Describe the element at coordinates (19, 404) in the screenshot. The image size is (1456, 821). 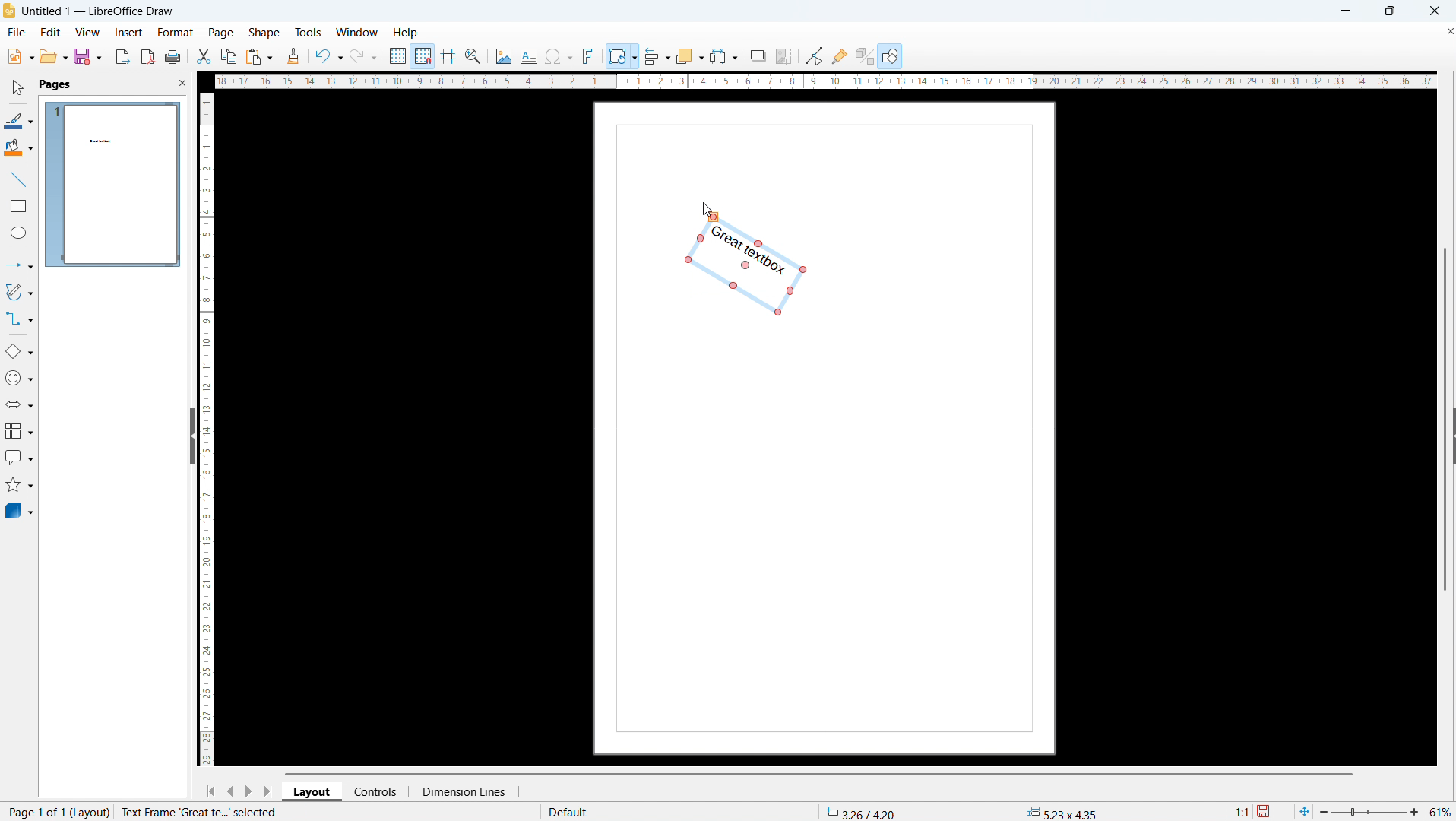
I see `block arrows` at that location.